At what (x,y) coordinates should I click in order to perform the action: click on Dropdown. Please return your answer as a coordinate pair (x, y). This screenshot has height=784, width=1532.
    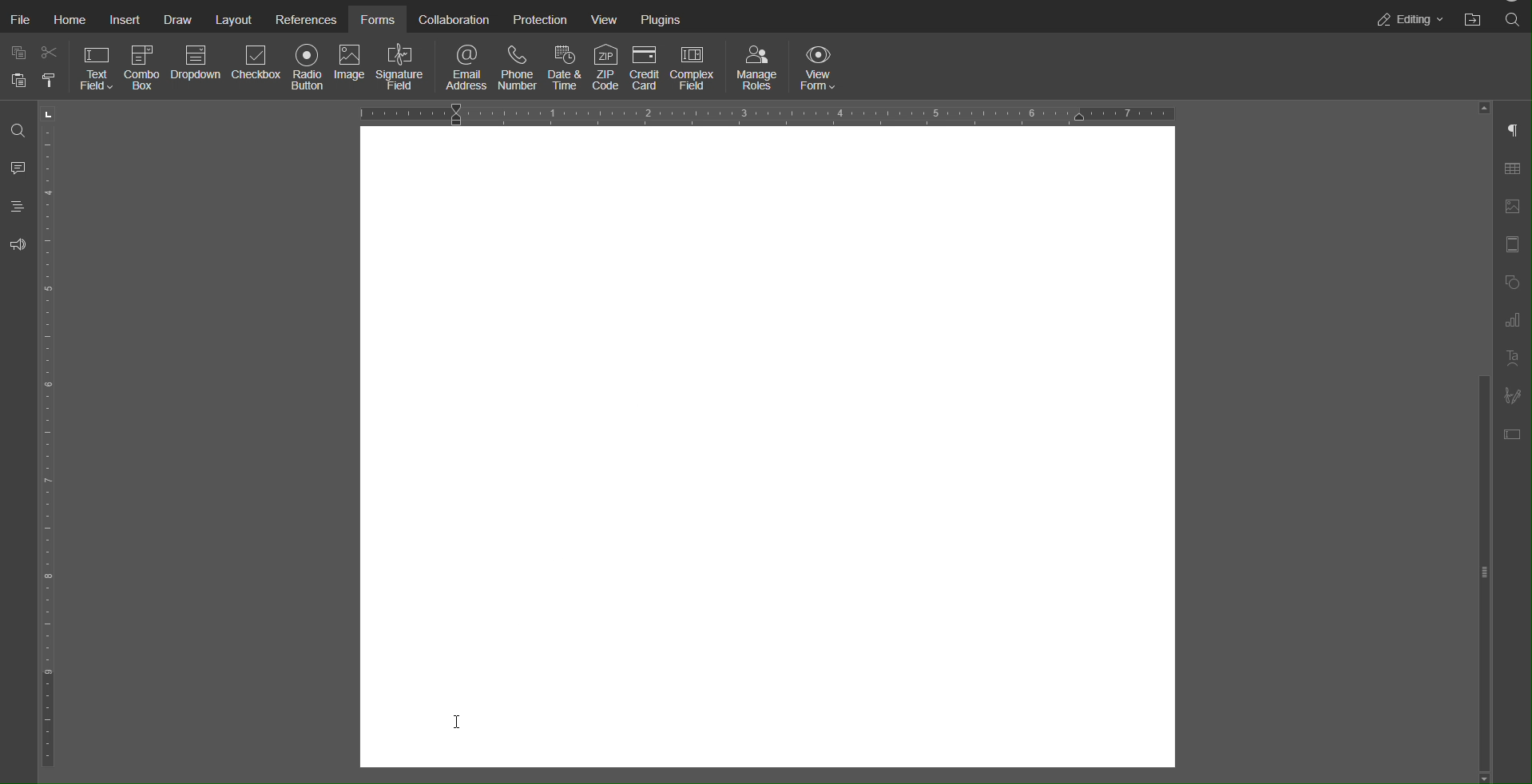
    Looking at the image, I should click on (197, 69).